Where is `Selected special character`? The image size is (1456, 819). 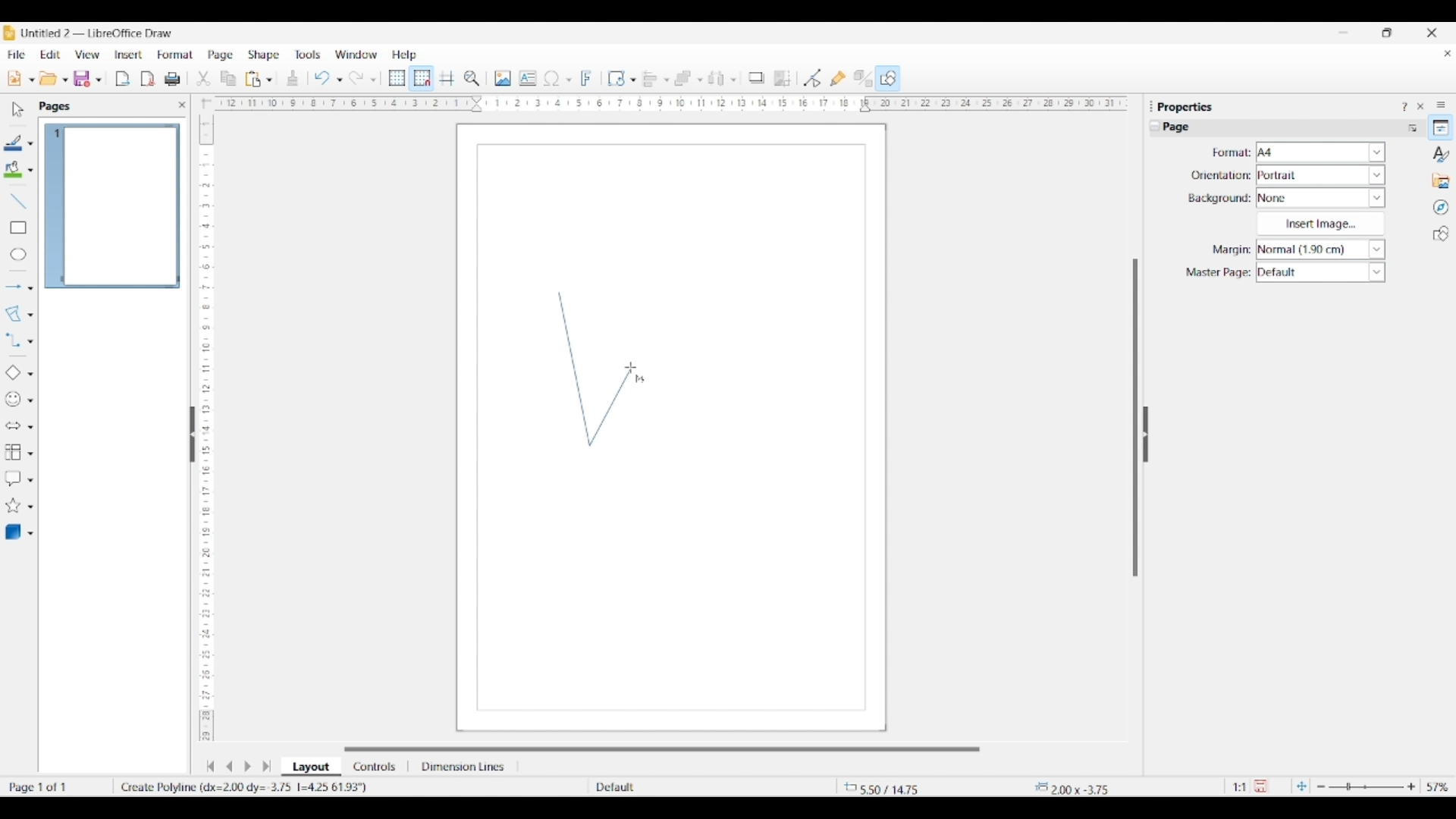 Selected special character is located at coordinates (552, 78).